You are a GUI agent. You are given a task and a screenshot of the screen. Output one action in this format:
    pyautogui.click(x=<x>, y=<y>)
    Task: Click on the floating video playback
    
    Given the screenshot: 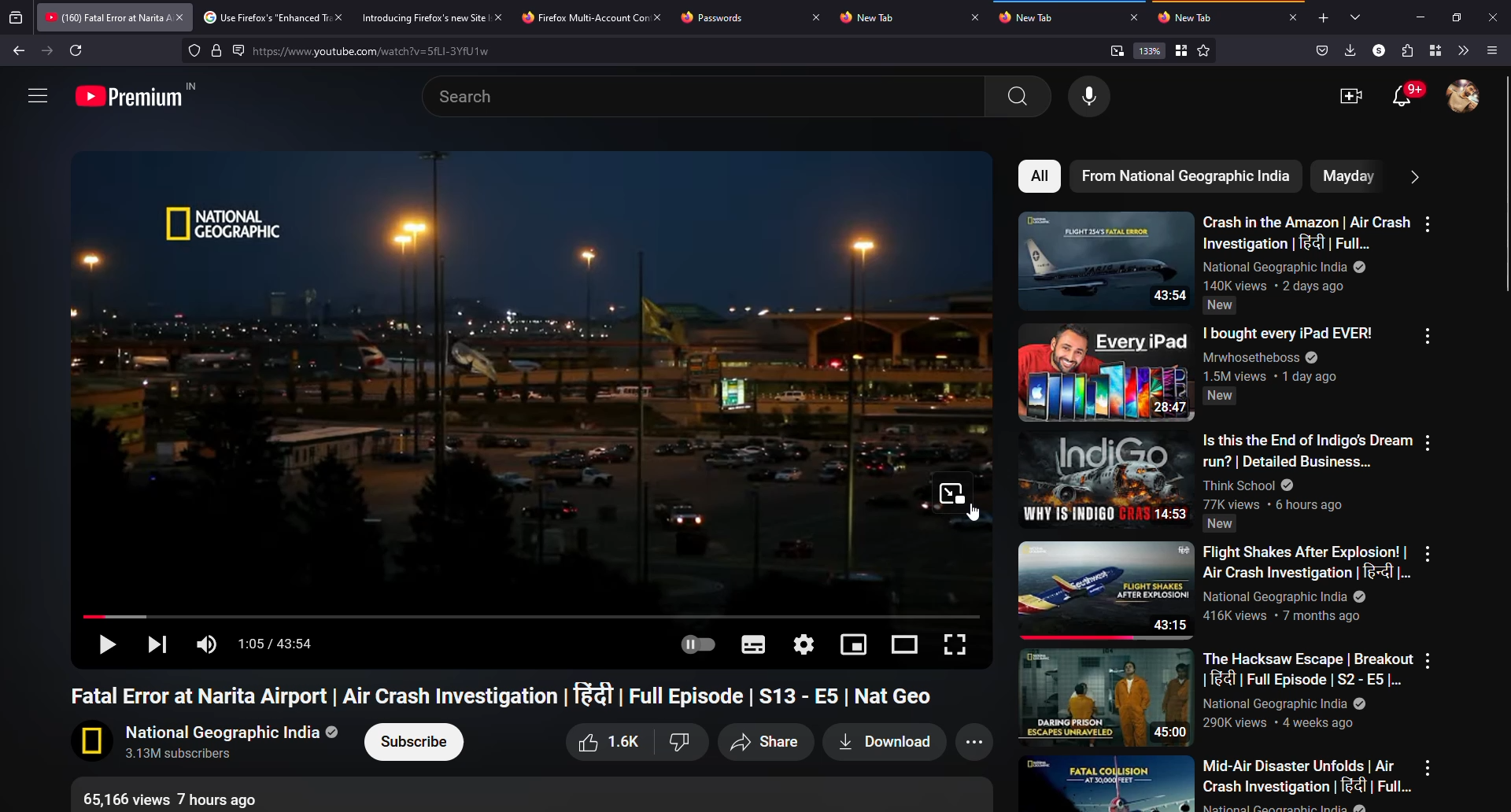 What is the action you would take?
    pyautogui.click(x=952, y=493)
    